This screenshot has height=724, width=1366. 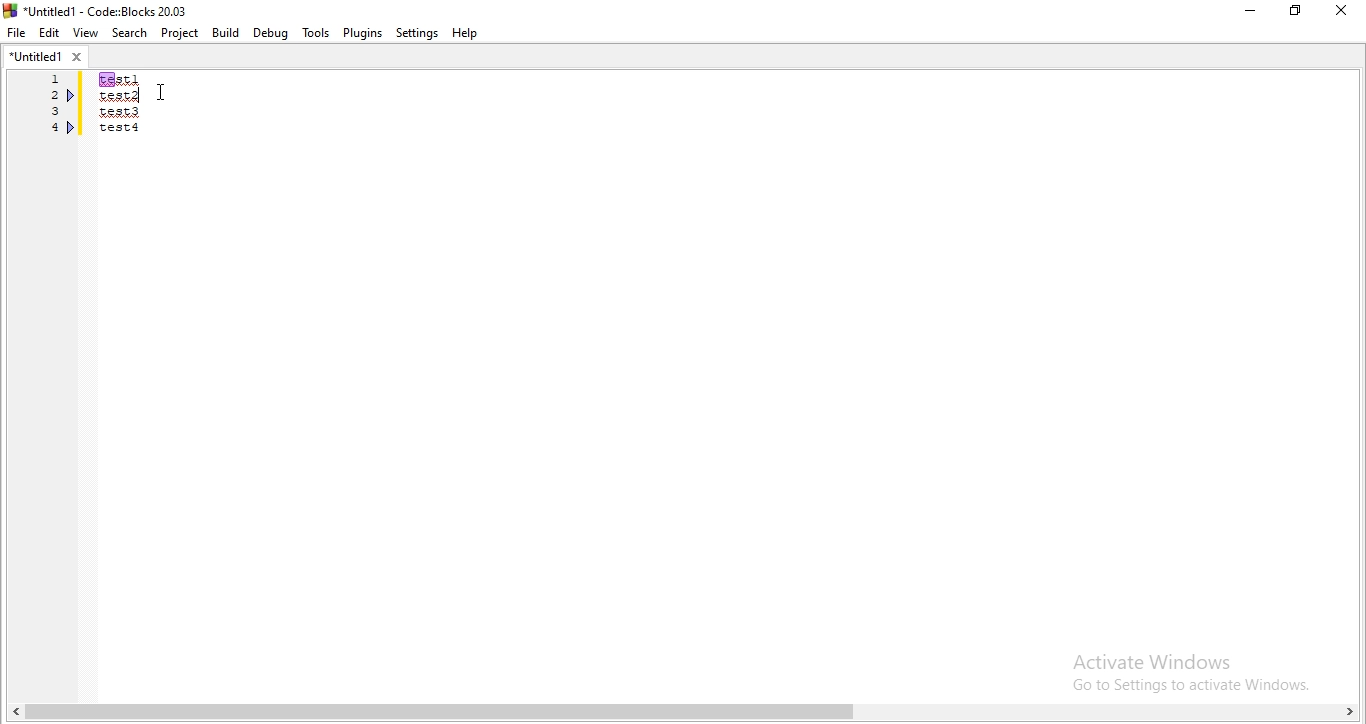 What do you see at coordinates (72, 95) in the screenshot?
I see `Debugger Point in 2 ` at bounding box center [72, 95].